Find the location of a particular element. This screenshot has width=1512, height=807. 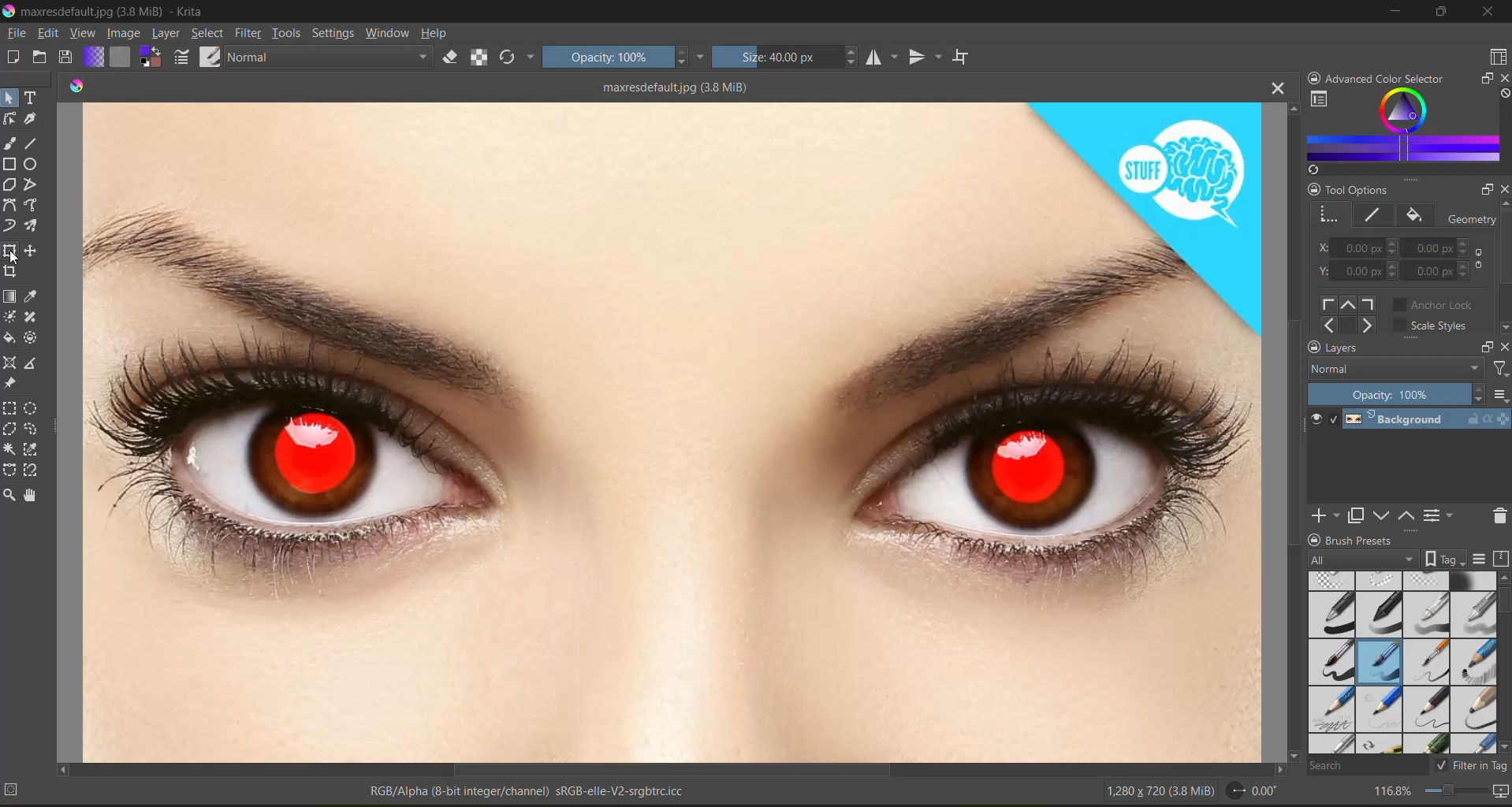

settings is located at coordinates (335, 33).